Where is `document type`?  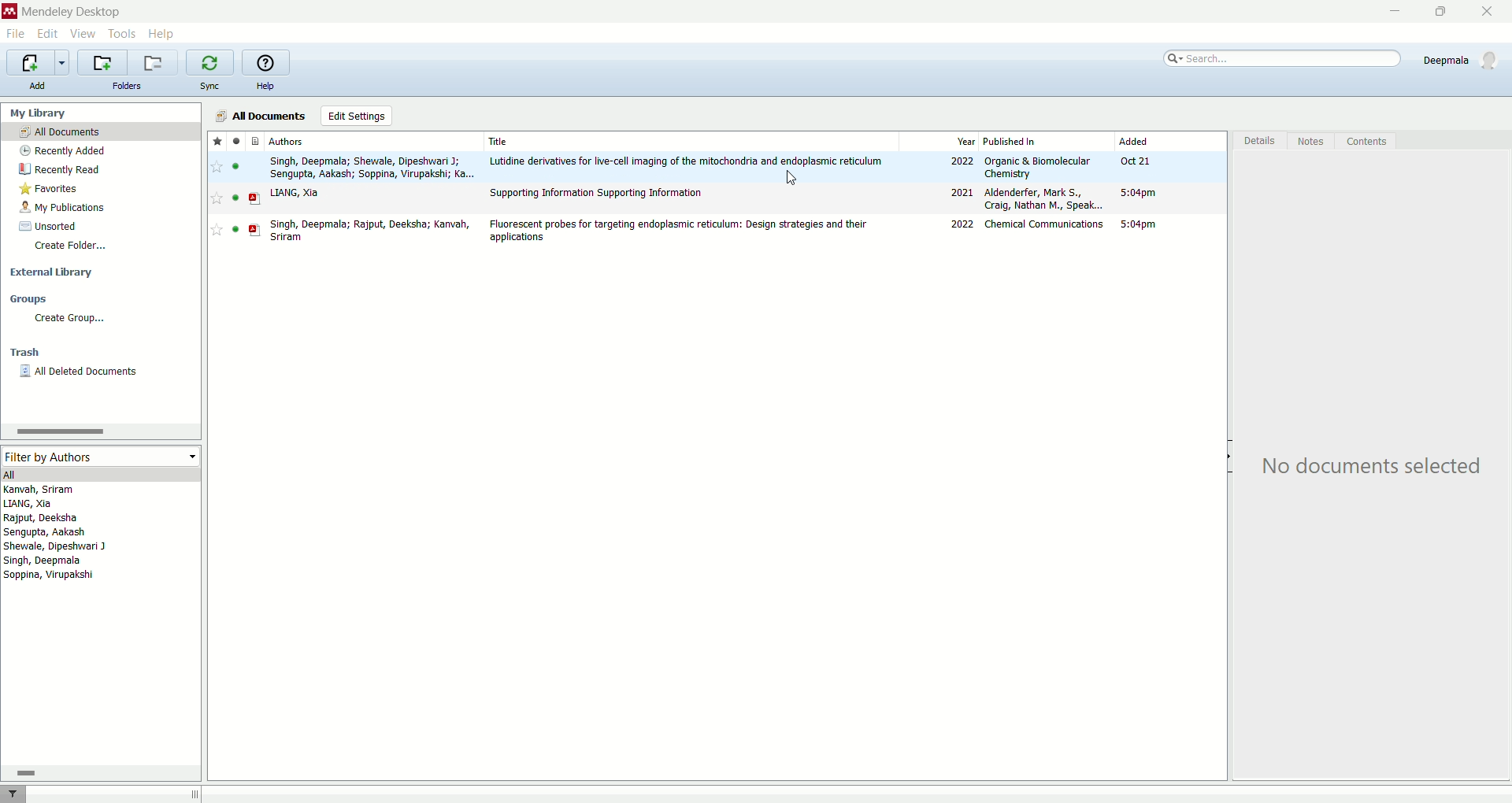 document type is located at coordinates (257, 140).